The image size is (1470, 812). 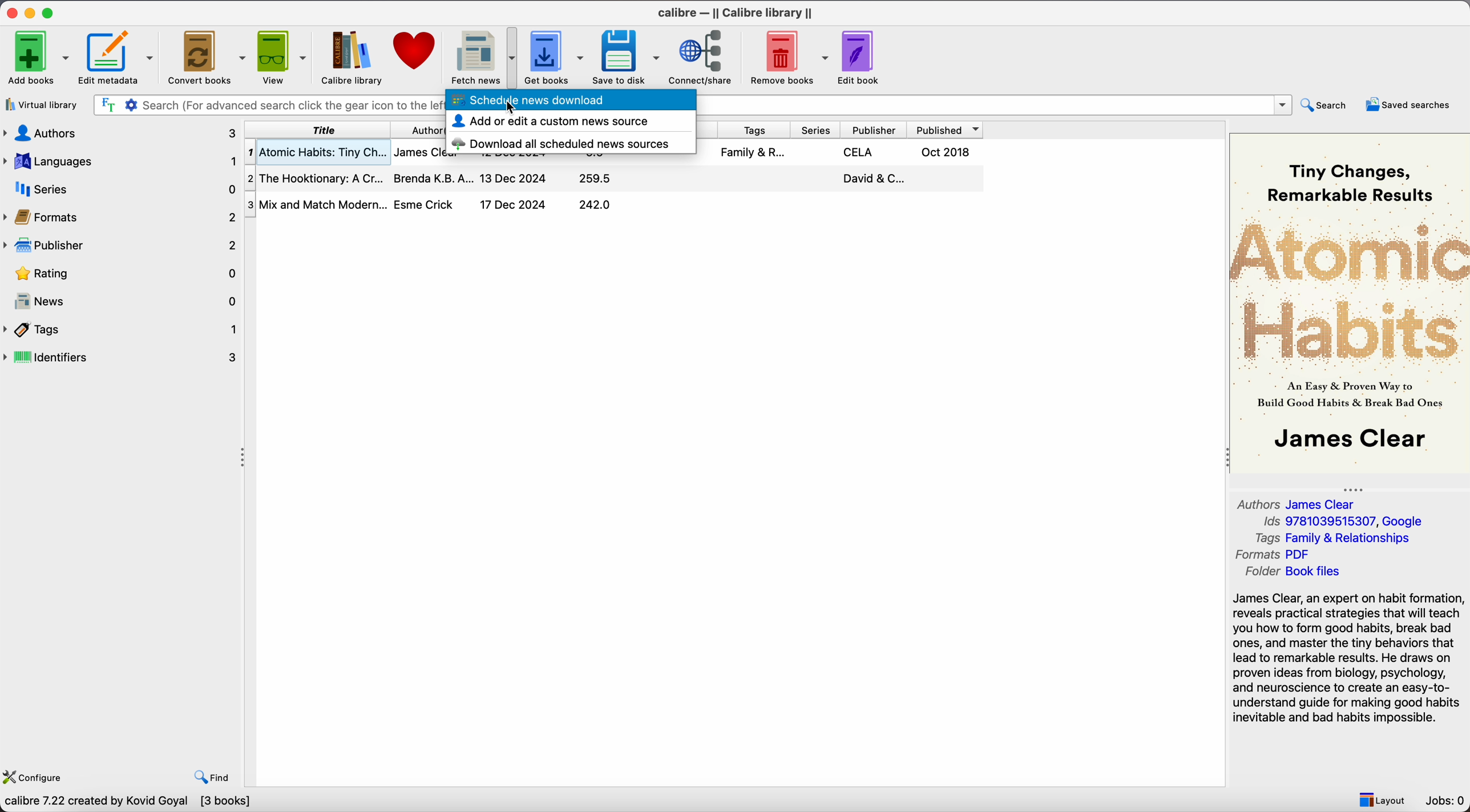 What do you see at coordinates (513, 178) in the screenshot?
I see `13 Dec 2024` at bounding box center [513, 178].